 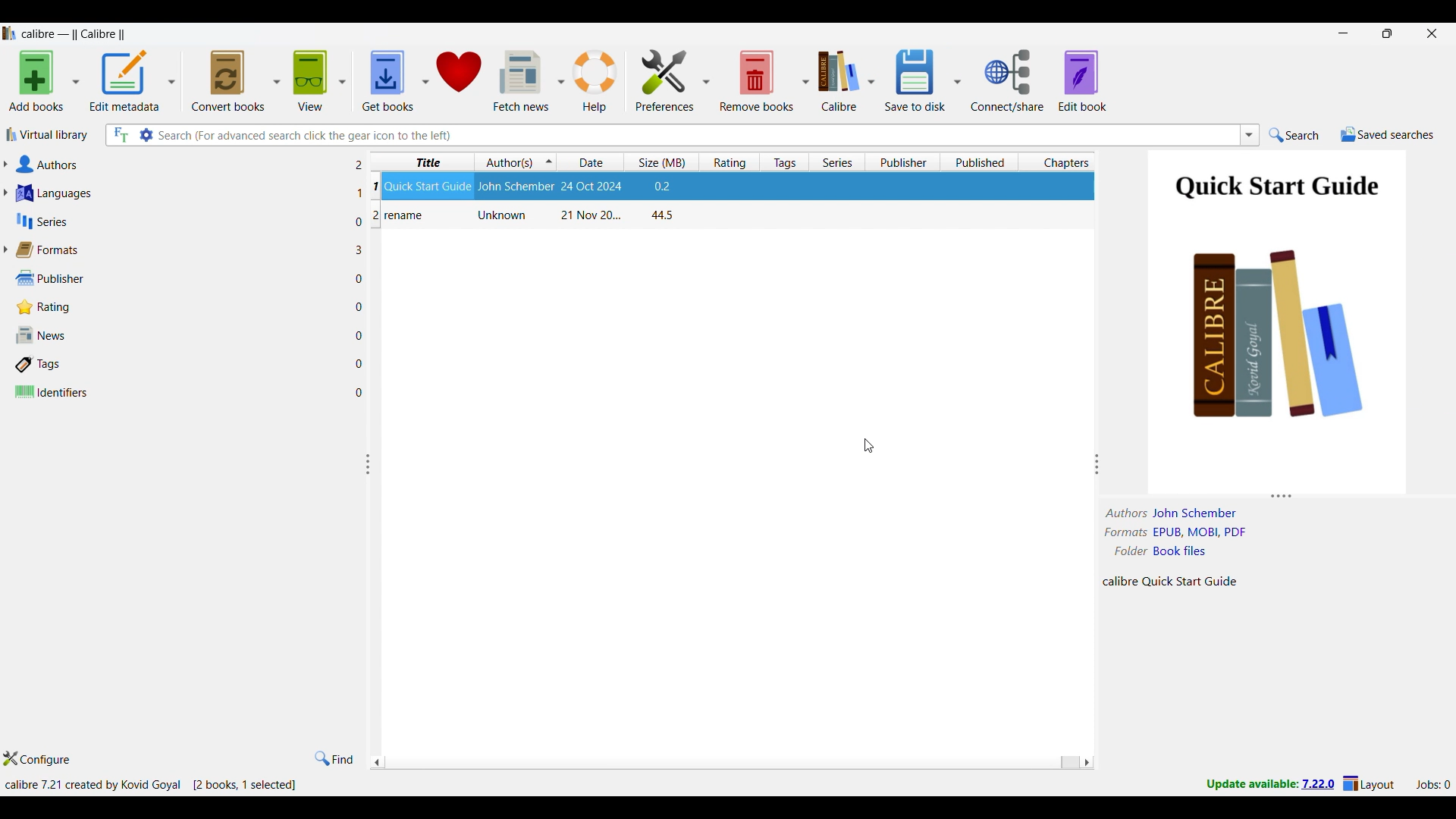 I want to click on Publisher, so click(x=177, y=278).